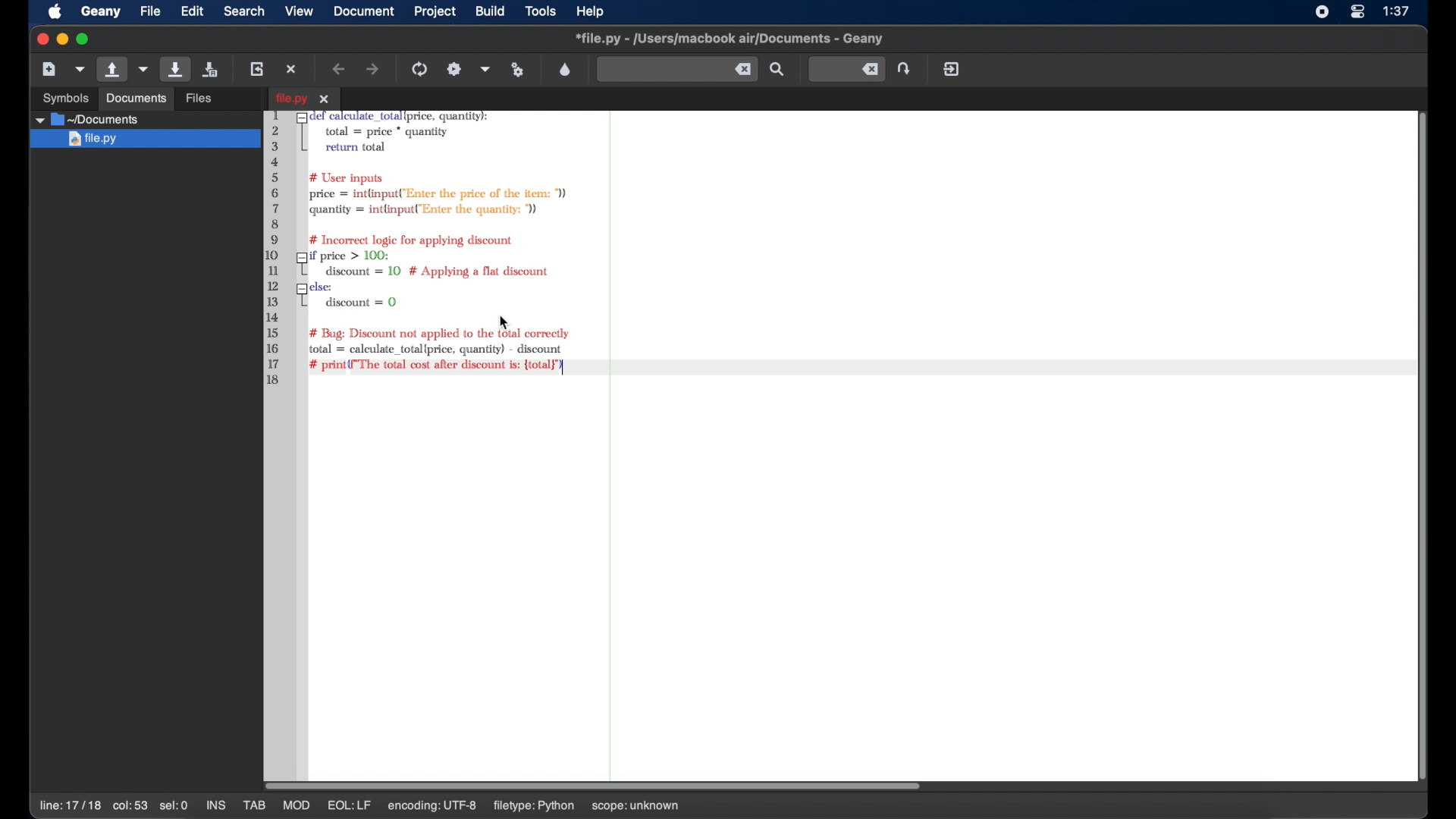  I want to click on files, so click(201, 96).